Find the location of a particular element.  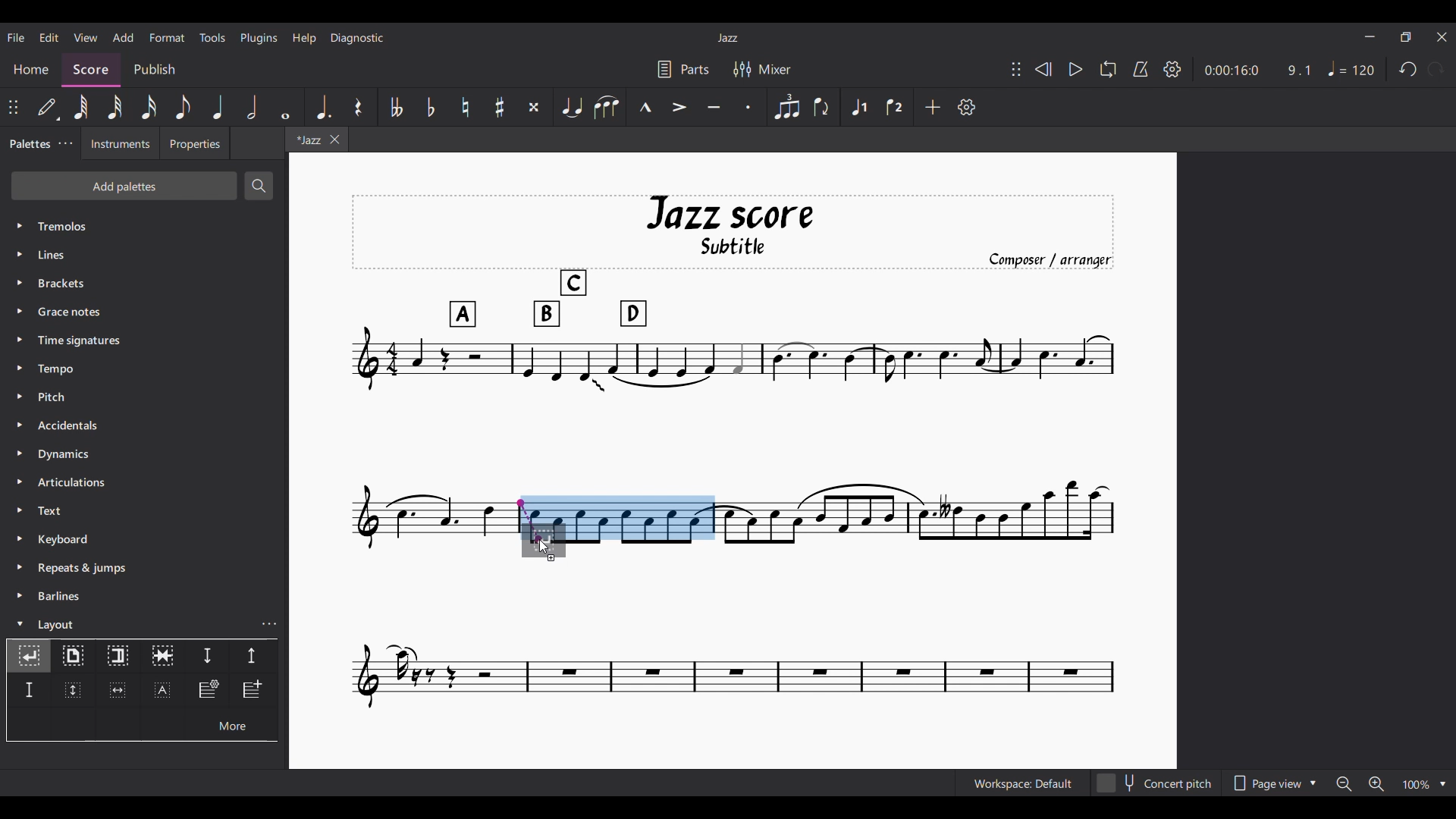

File menu  is located at coordinates (16, 38).